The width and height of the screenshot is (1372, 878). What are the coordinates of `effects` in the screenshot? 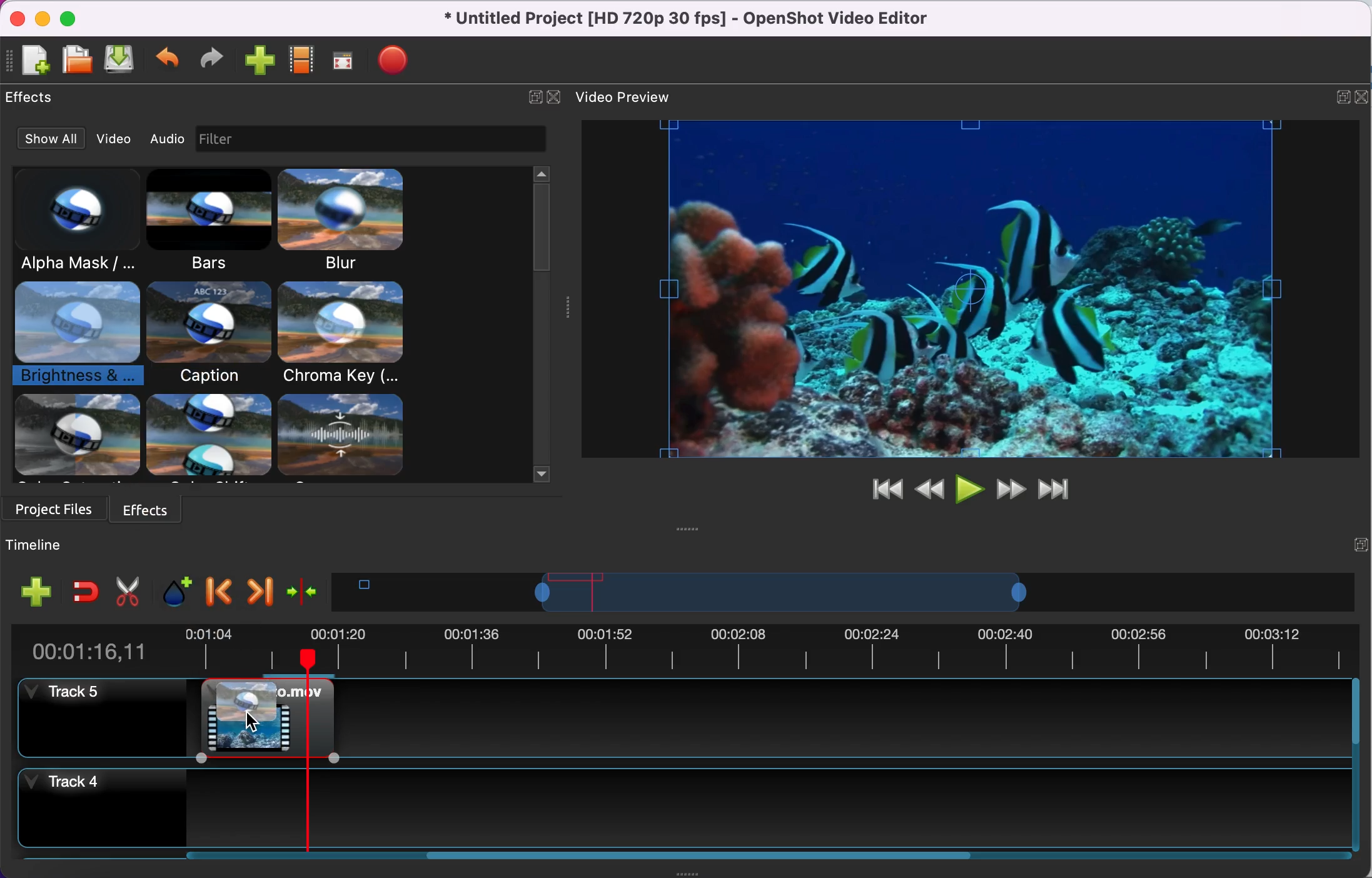 It's located at (149, 507).